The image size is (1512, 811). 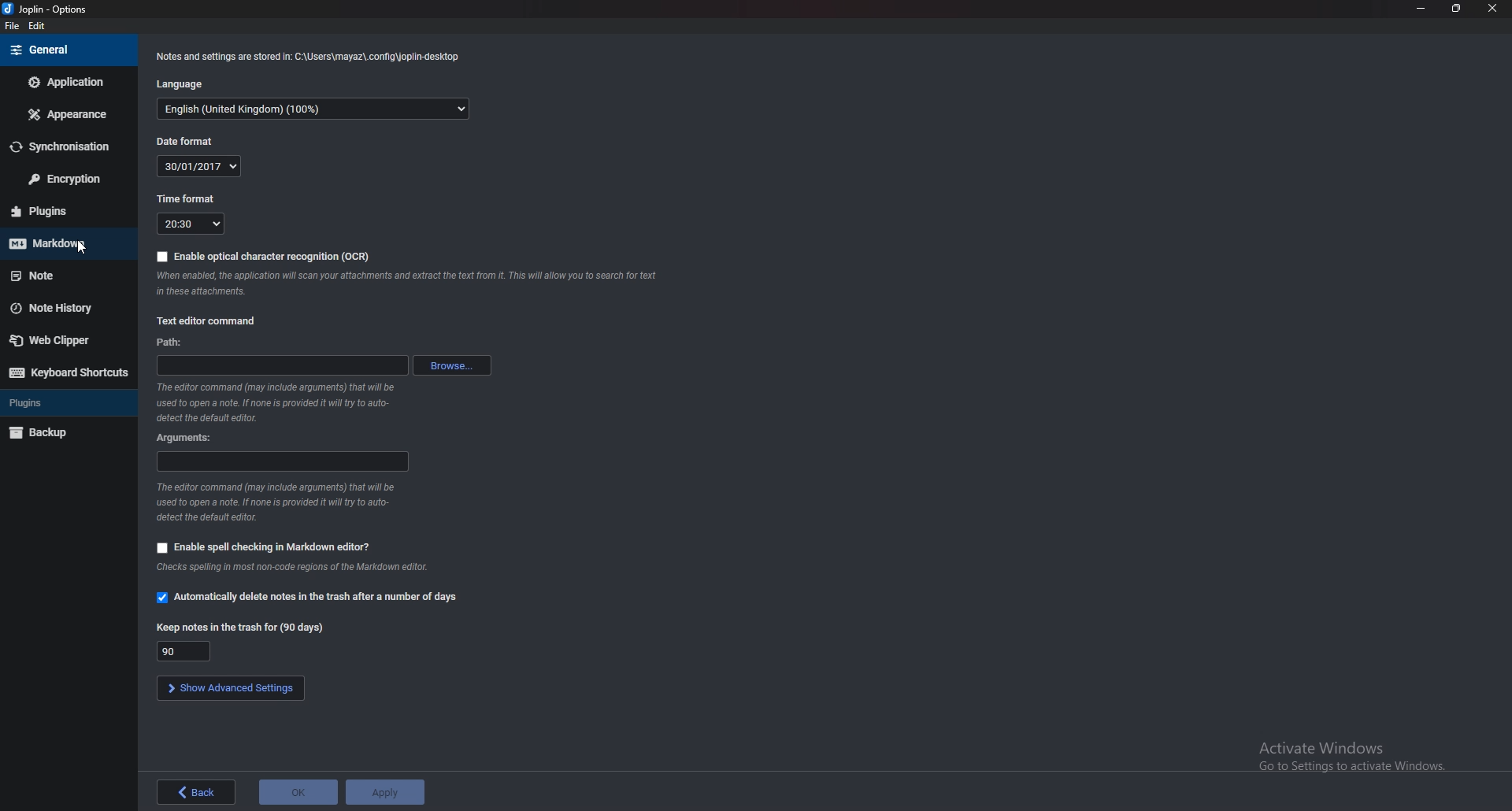 I want to click on Plugins, so click(x=61, y=209).